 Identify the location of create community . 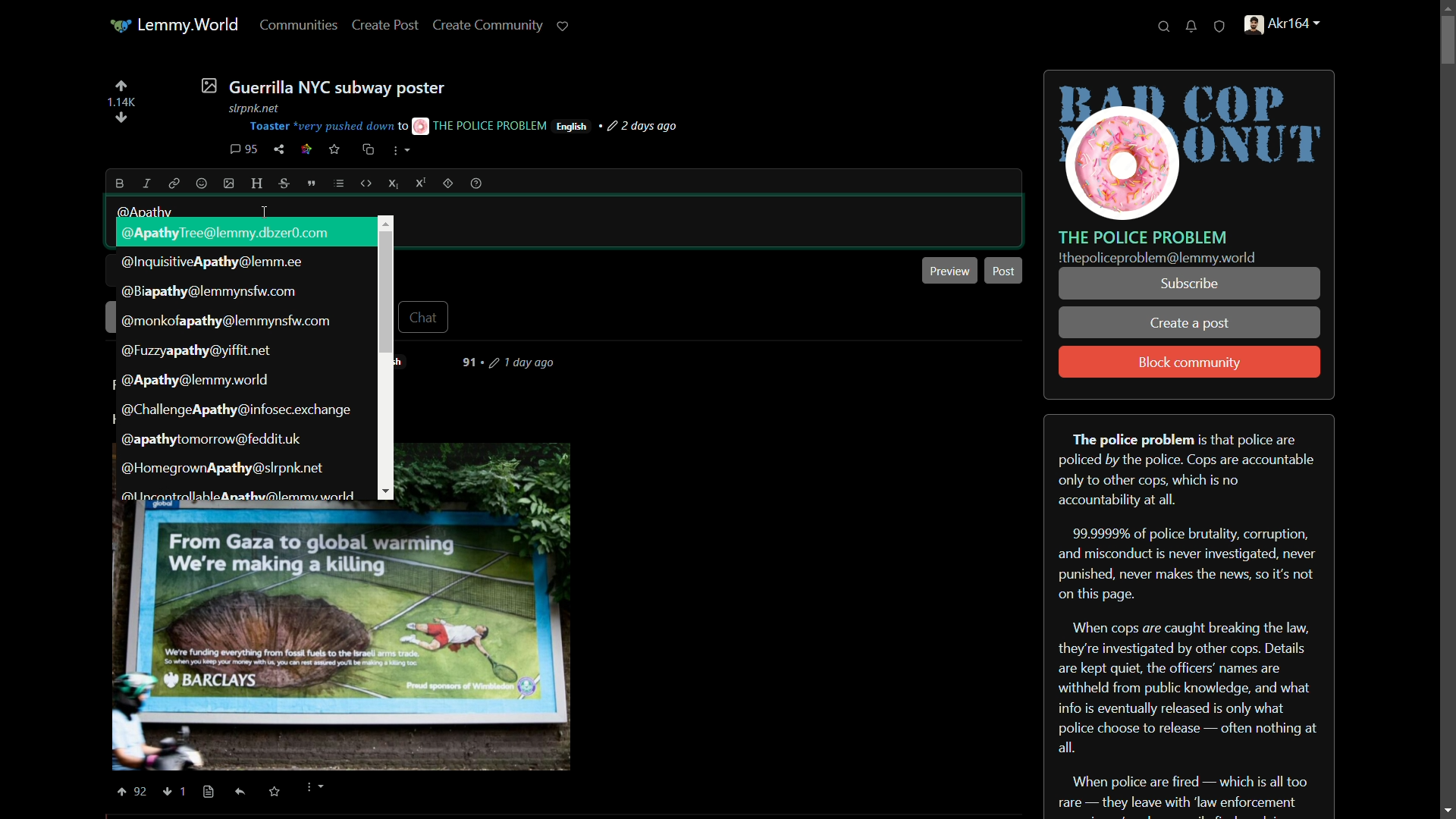
(491, 24).